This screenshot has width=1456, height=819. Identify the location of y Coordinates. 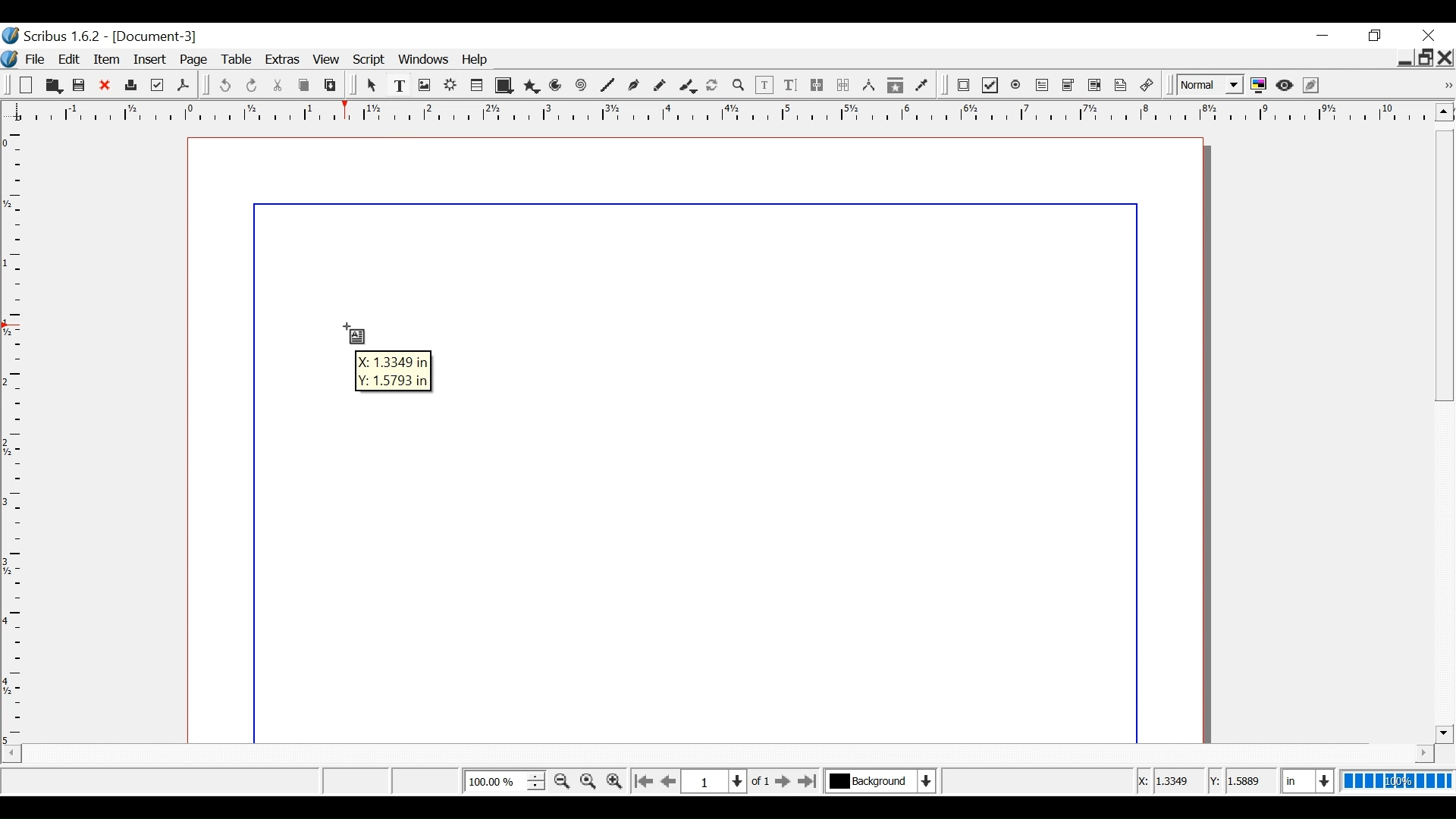
(1245, 782).